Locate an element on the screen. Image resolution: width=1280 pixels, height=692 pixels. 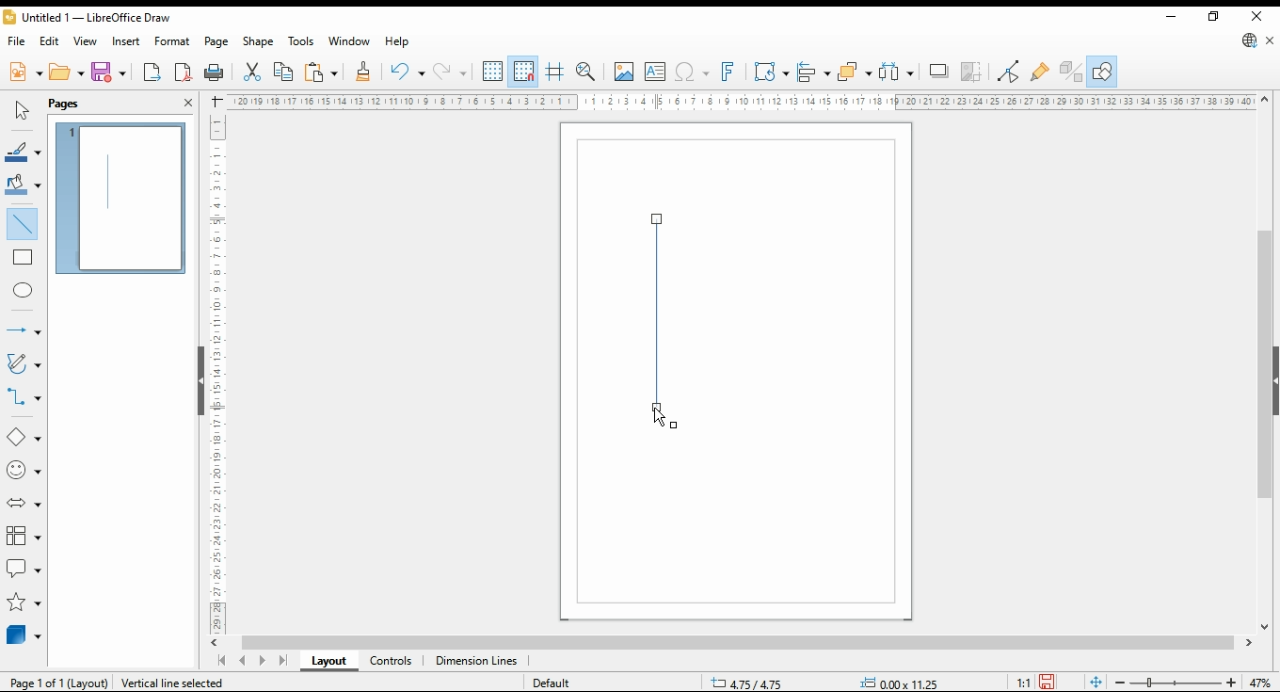
crop is located at coordinates (974, 72).